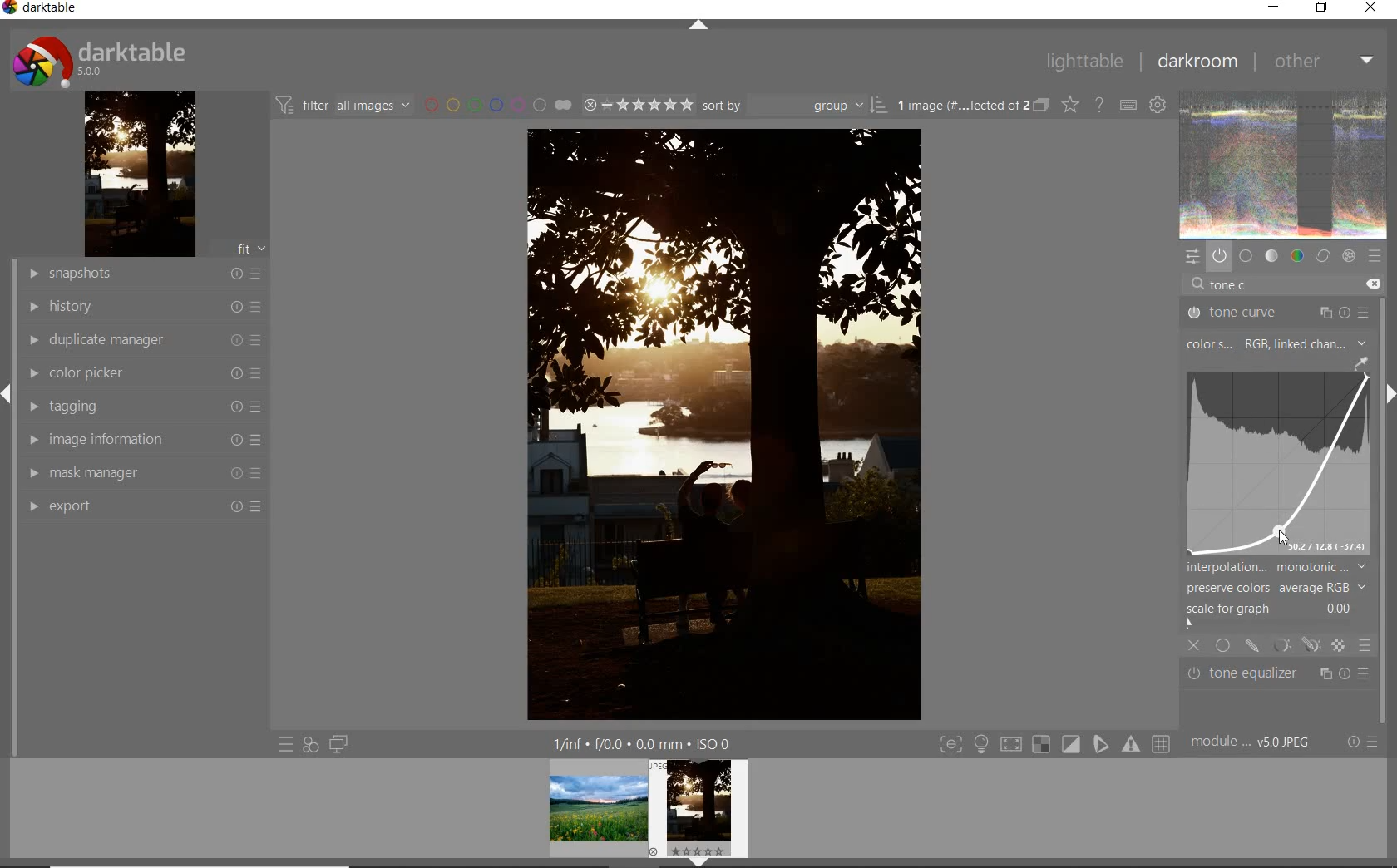 The height and width of the screenshot is (868, 1397). I want to click on display a second darkroom image widow, so click(339, 744).